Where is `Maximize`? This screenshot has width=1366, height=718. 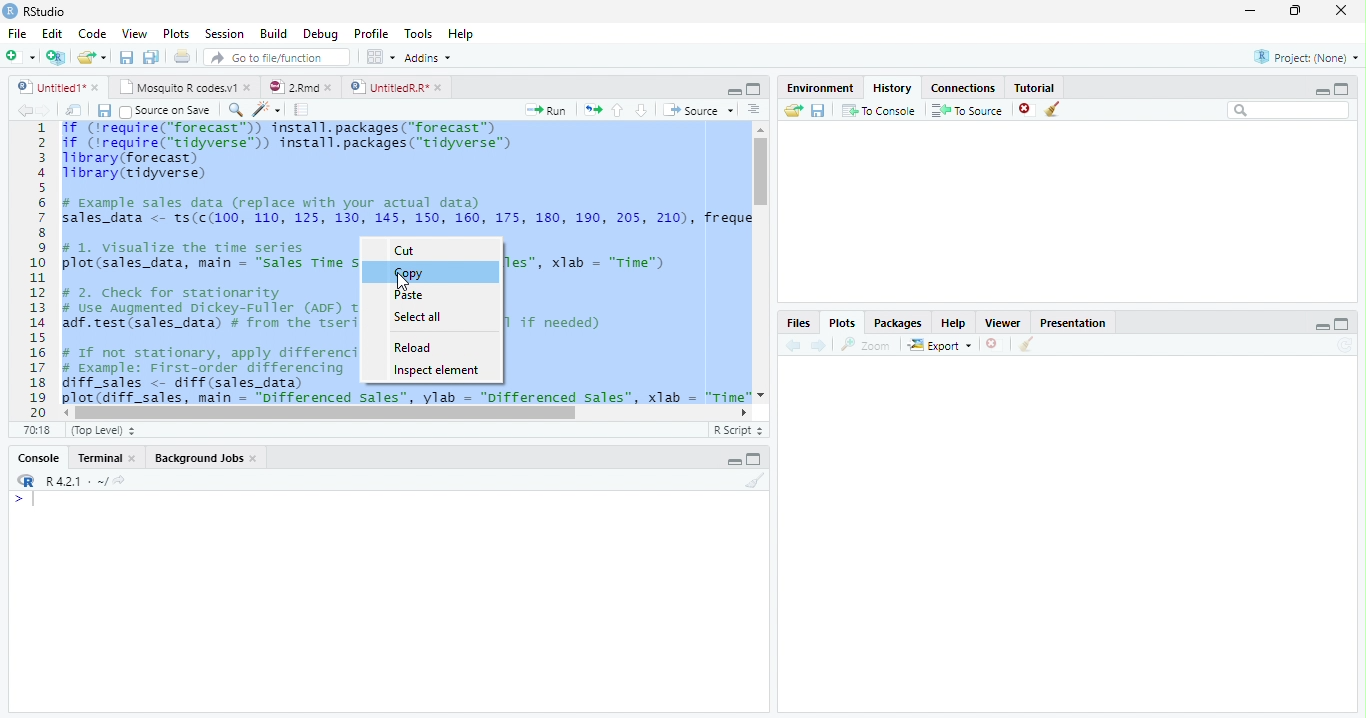
Maximize is located at coordinates (1346, 88).